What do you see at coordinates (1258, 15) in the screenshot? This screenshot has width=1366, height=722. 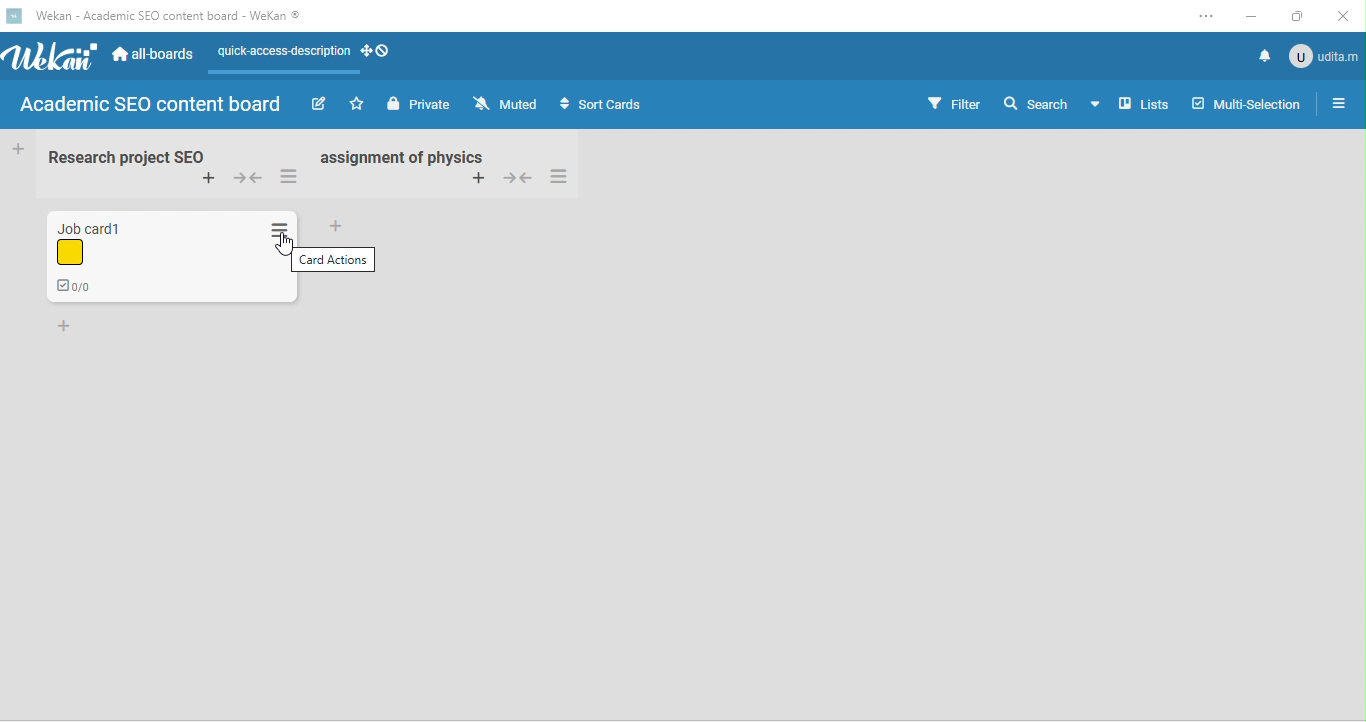 I see `minimize` at bounding box center [1258, 15].